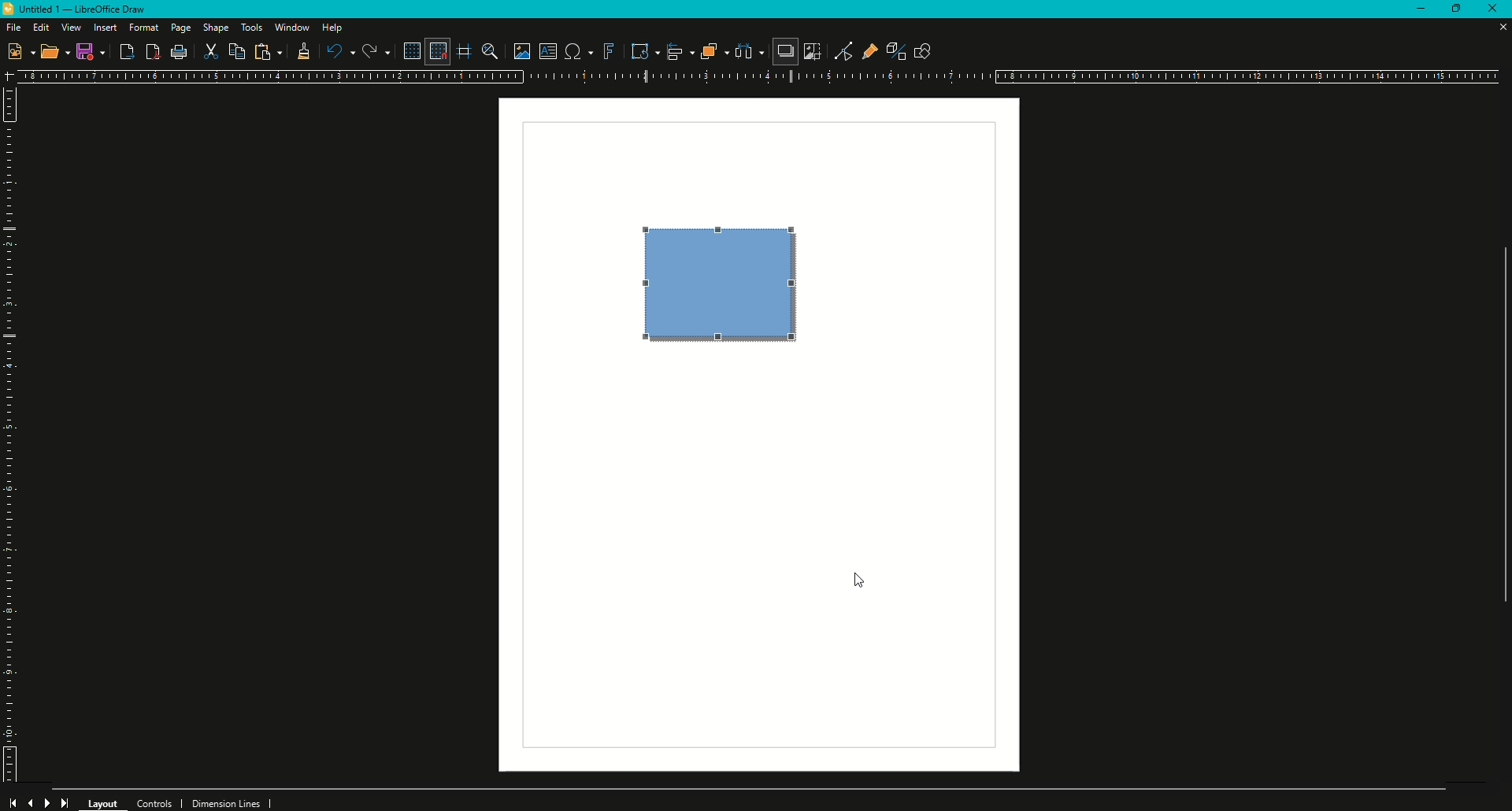  What do you see at coordinates (865, 50) in the screenshot?
I see `Show Gluepoint Functions` at bounding box center [865, 50].